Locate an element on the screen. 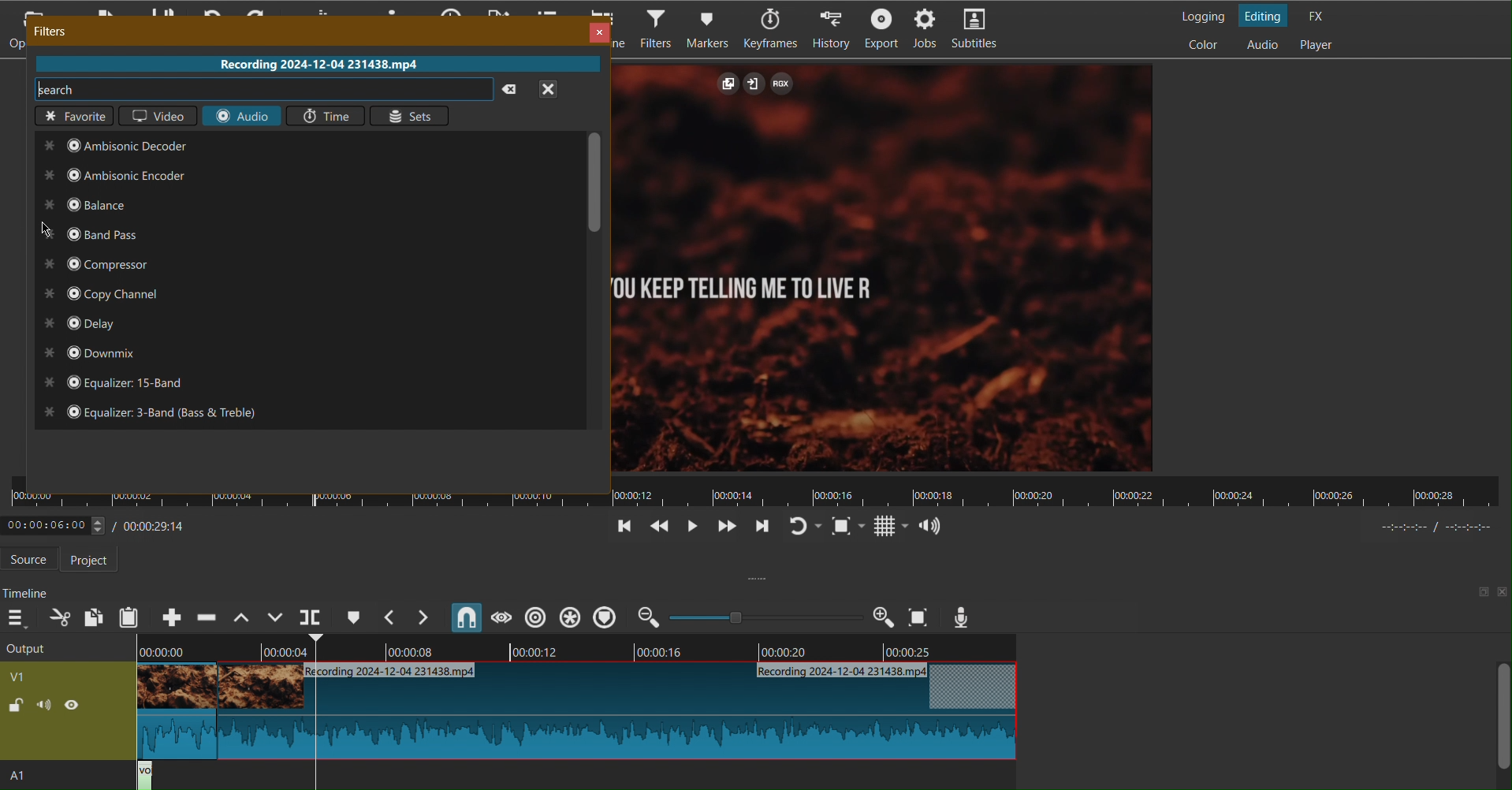 Image resolution: width=1512 pixels, height=790 pixels. Jump Back is located at coordinates (624, 527).